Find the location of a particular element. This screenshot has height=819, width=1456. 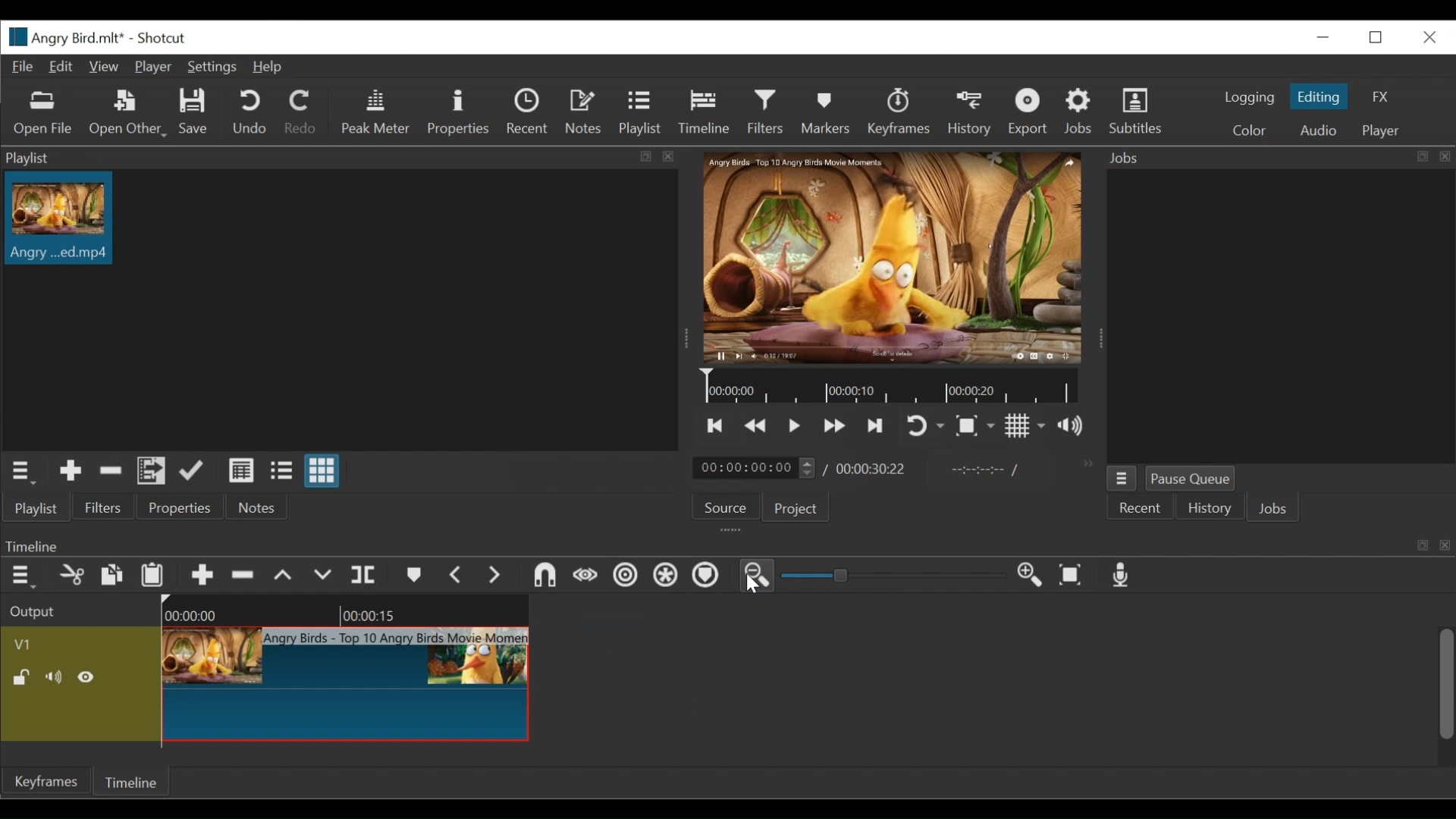

Jobs menu is located at coordinates (1122, 479).